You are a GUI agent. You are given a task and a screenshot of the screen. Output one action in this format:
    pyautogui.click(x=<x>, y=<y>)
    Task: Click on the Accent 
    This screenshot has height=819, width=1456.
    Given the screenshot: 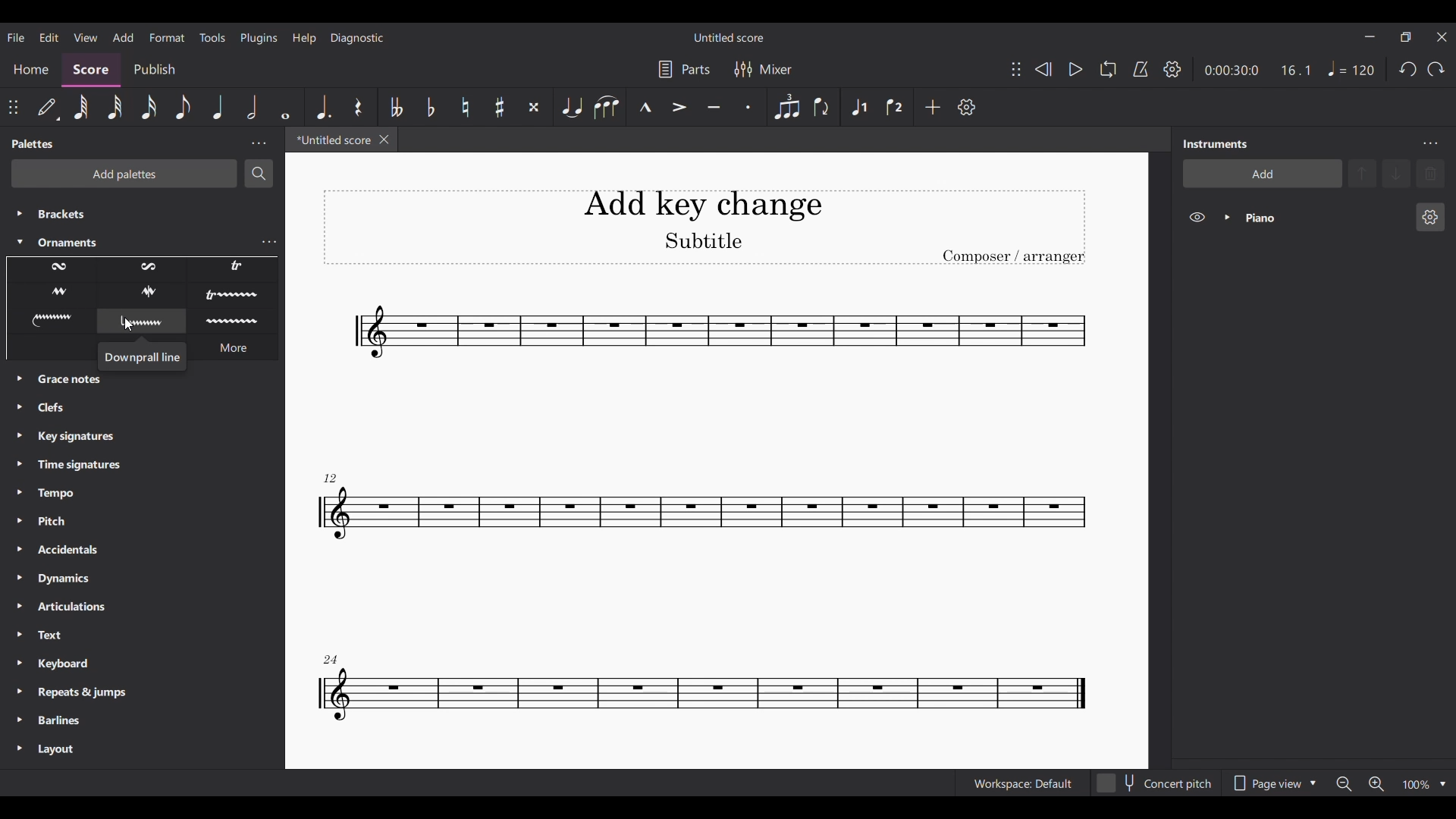 What is the action you would take?
    pyautogui.click(x=678, y=107)
    